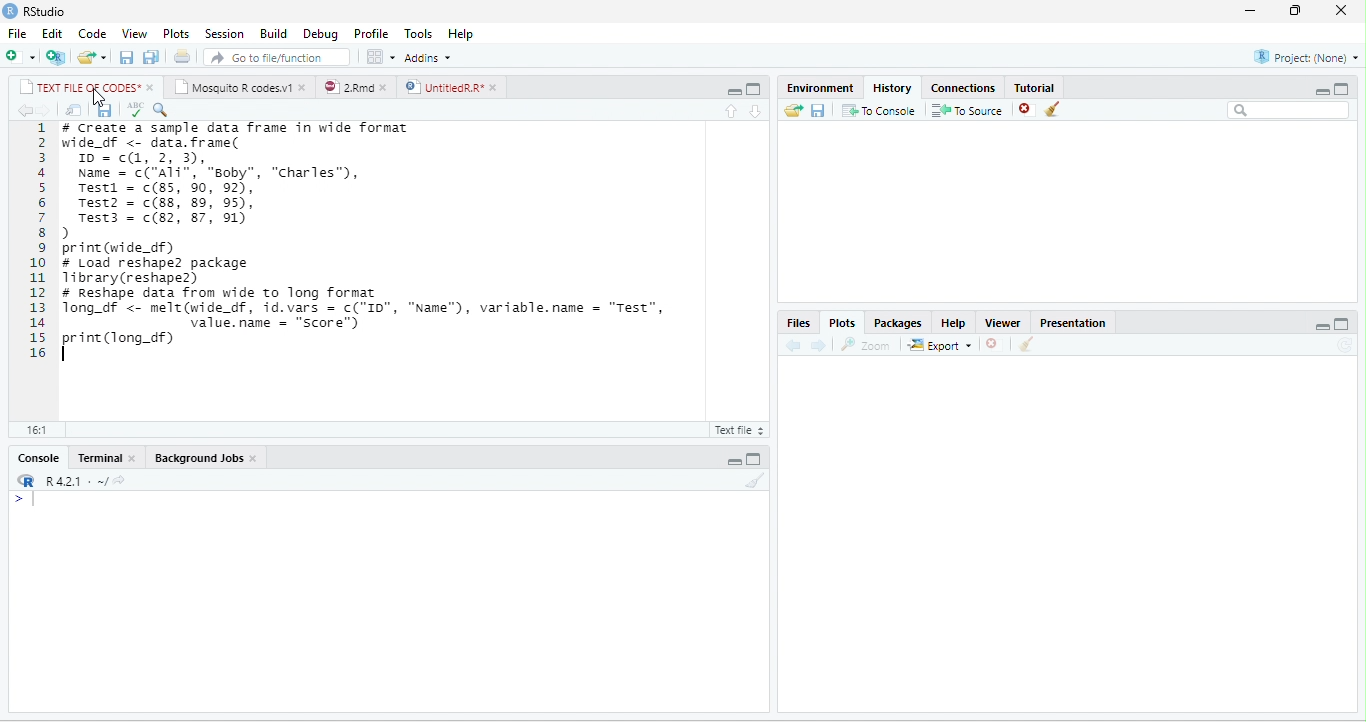  What do you see at coordinates (73, 110) in the screenshot?
I see `open in new window` at bounding box center [73, 110].